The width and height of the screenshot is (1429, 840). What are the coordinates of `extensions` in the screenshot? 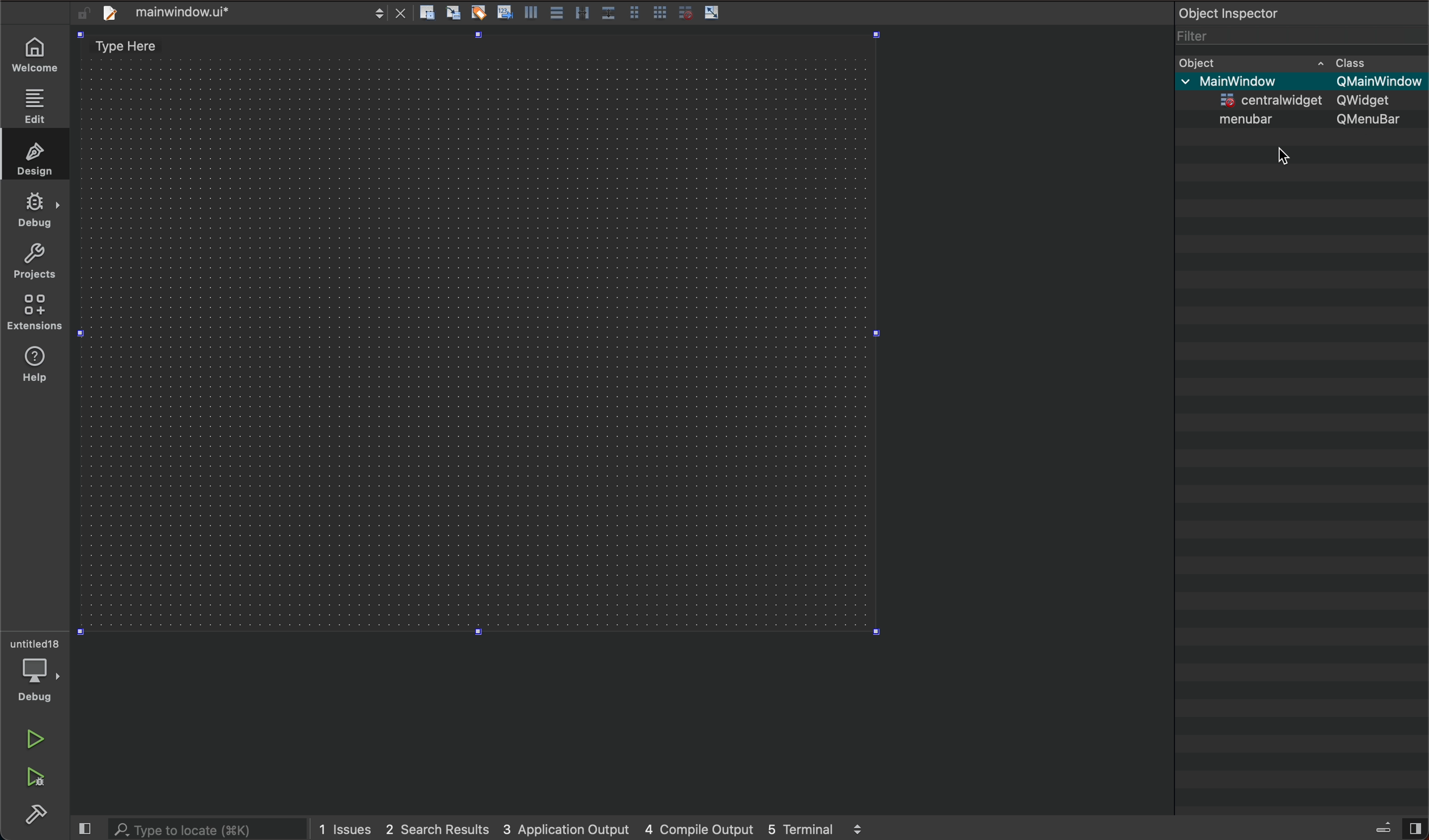 It's located at (37, 363).